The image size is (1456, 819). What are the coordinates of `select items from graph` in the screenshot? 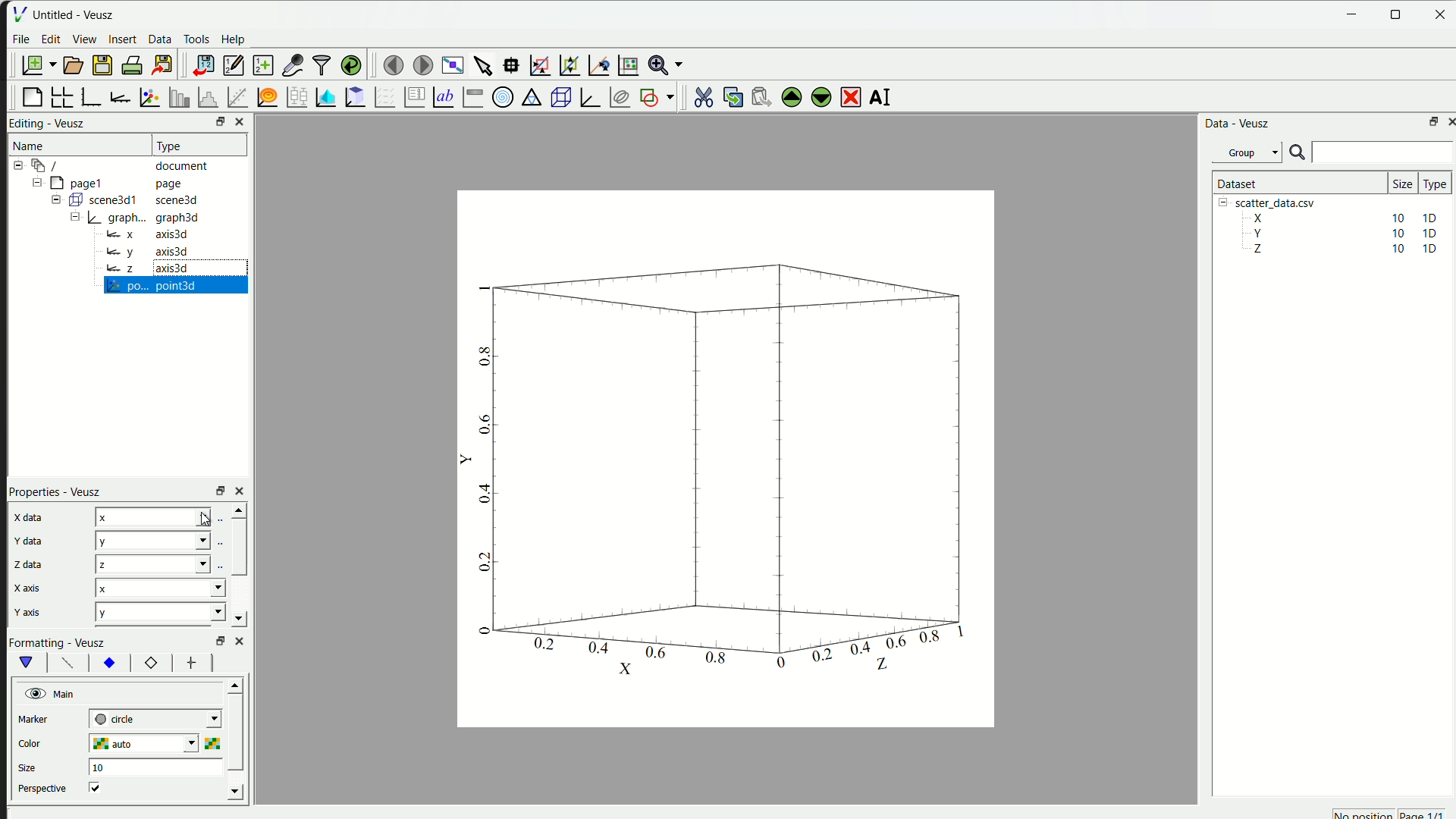 It's located at (482, 63).